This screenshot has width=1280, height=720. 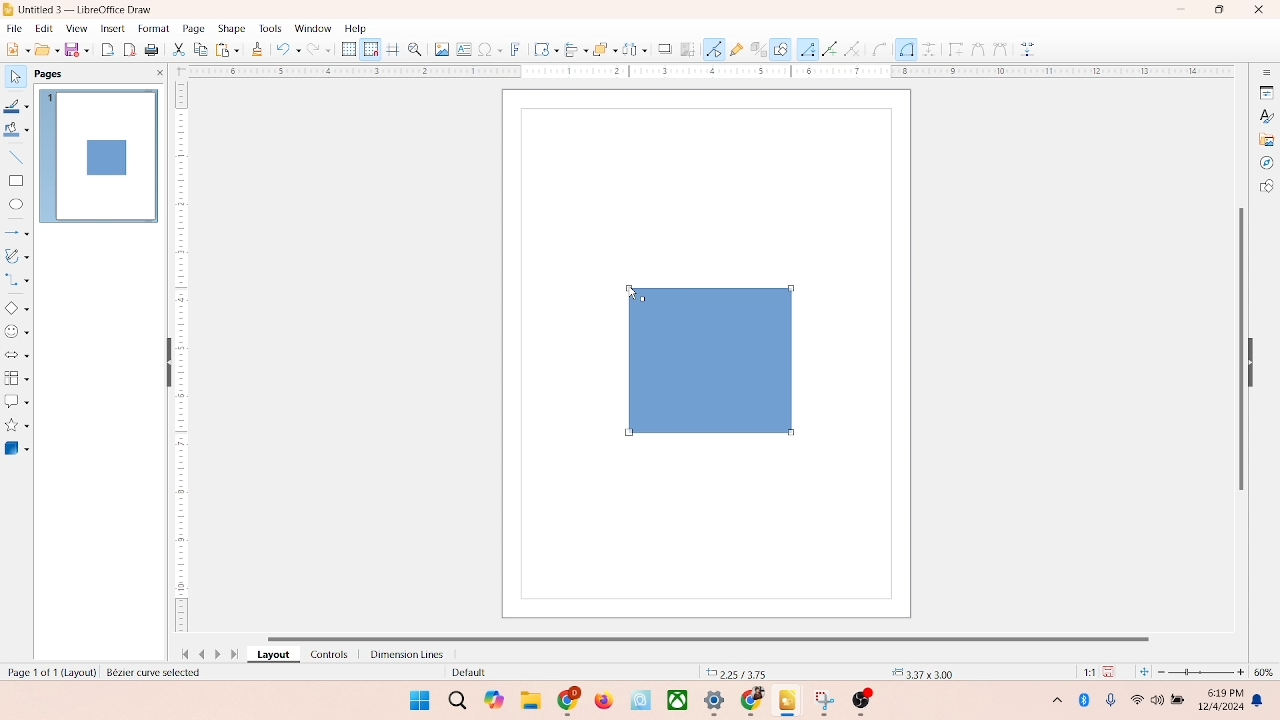 What do you see at coordinates (856, 49) in the screenshot?
I see `Arc tool` at bounding box center [856, 49].